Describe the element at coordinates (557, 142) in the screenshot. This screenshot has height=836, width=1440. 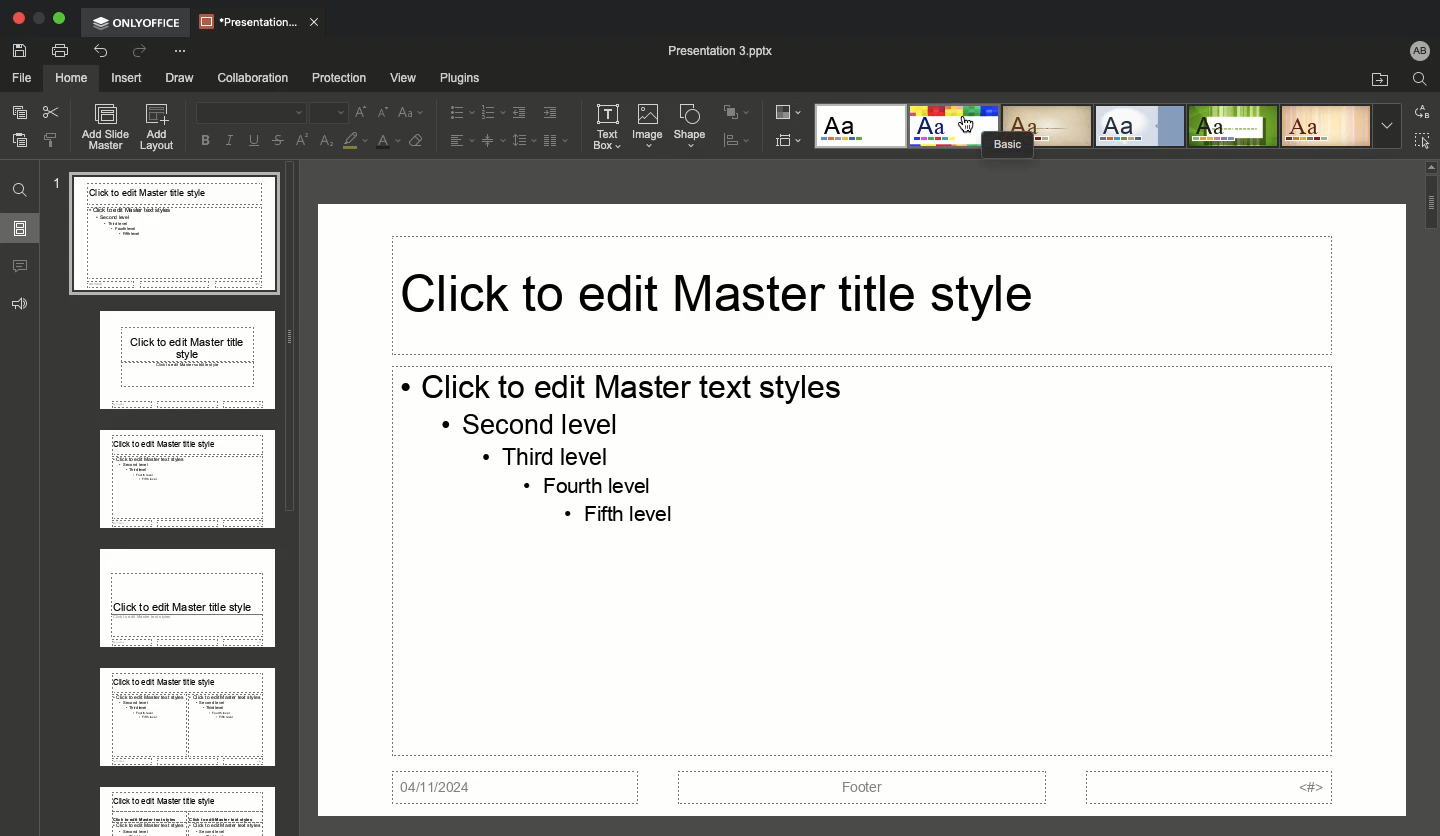
I see `Column` at that location.